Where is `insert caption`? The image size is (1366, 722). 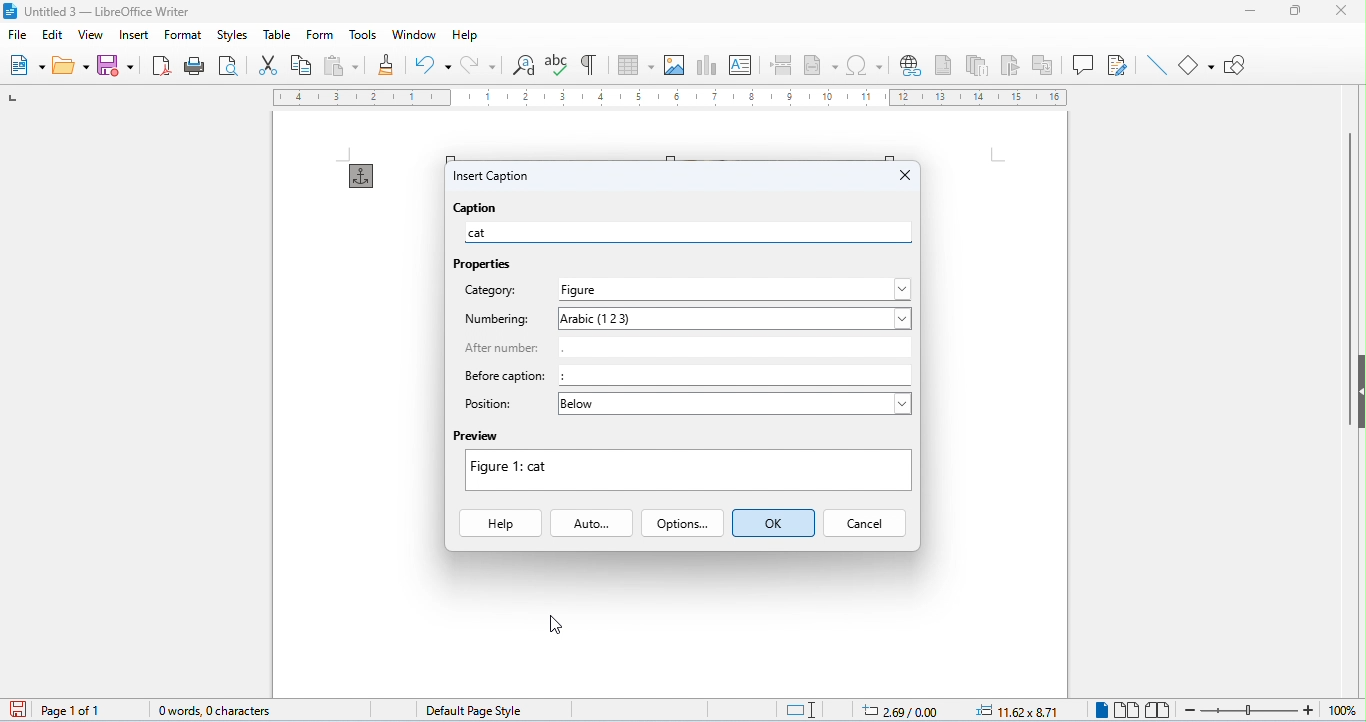
insert caption is located at coordinates (495, 178).